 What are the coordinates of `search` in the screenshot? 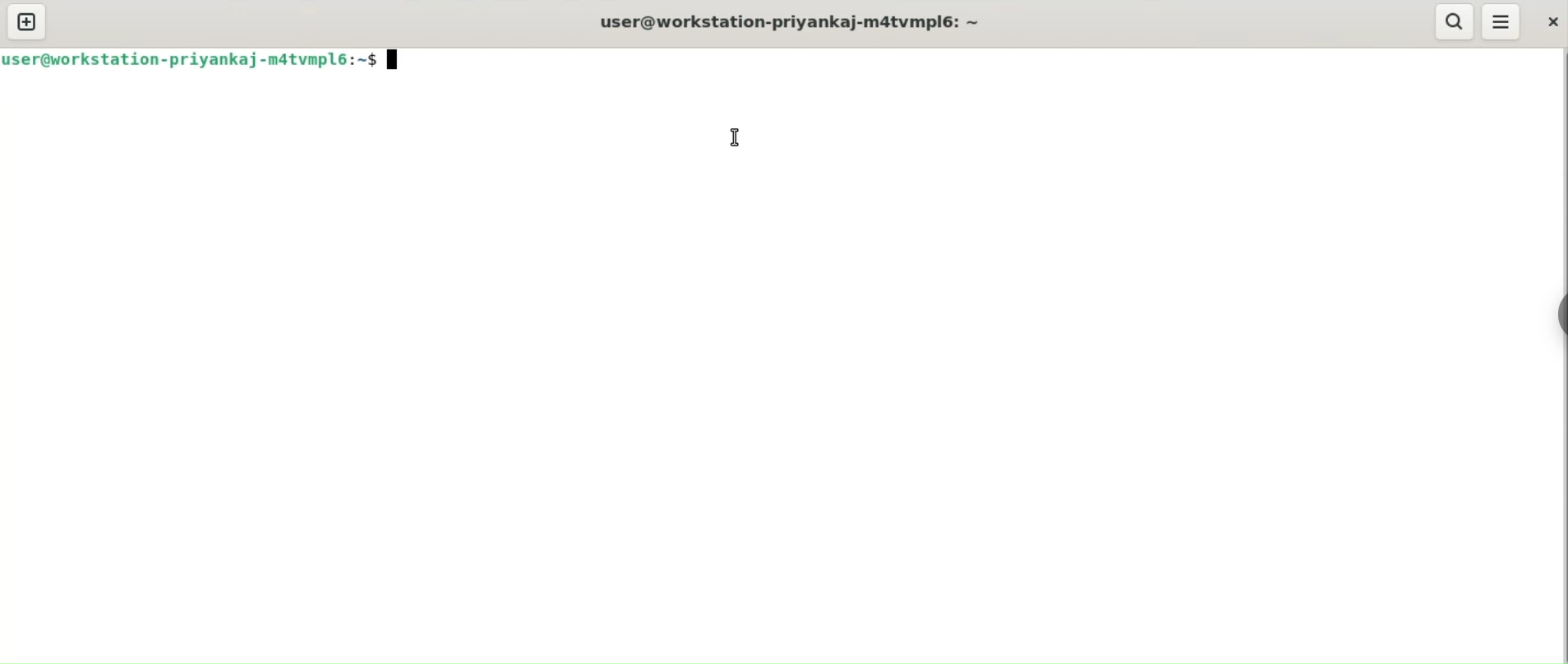 It's located at (1456, 22).